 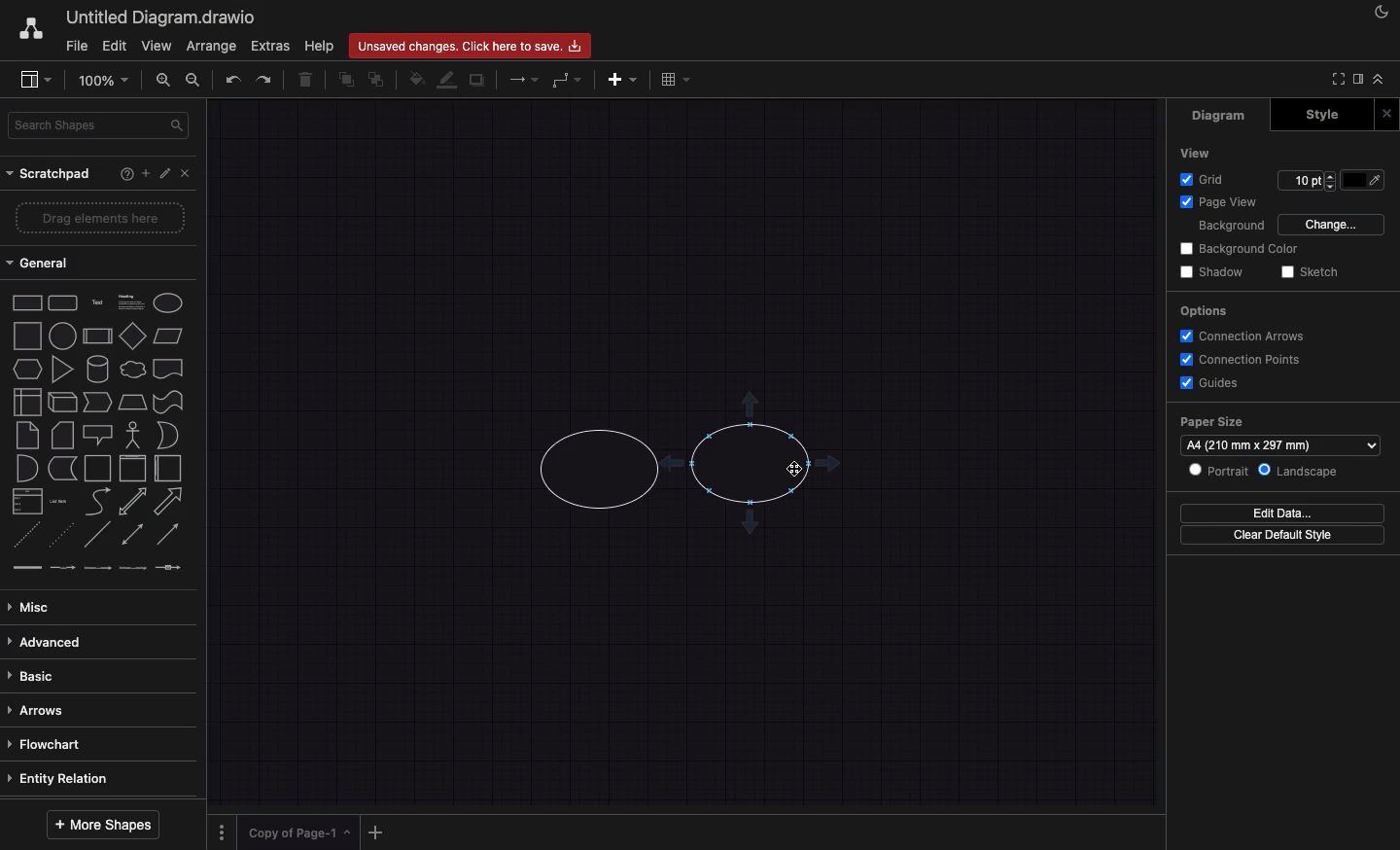 I want to click on document, so click(x=169, y=370).